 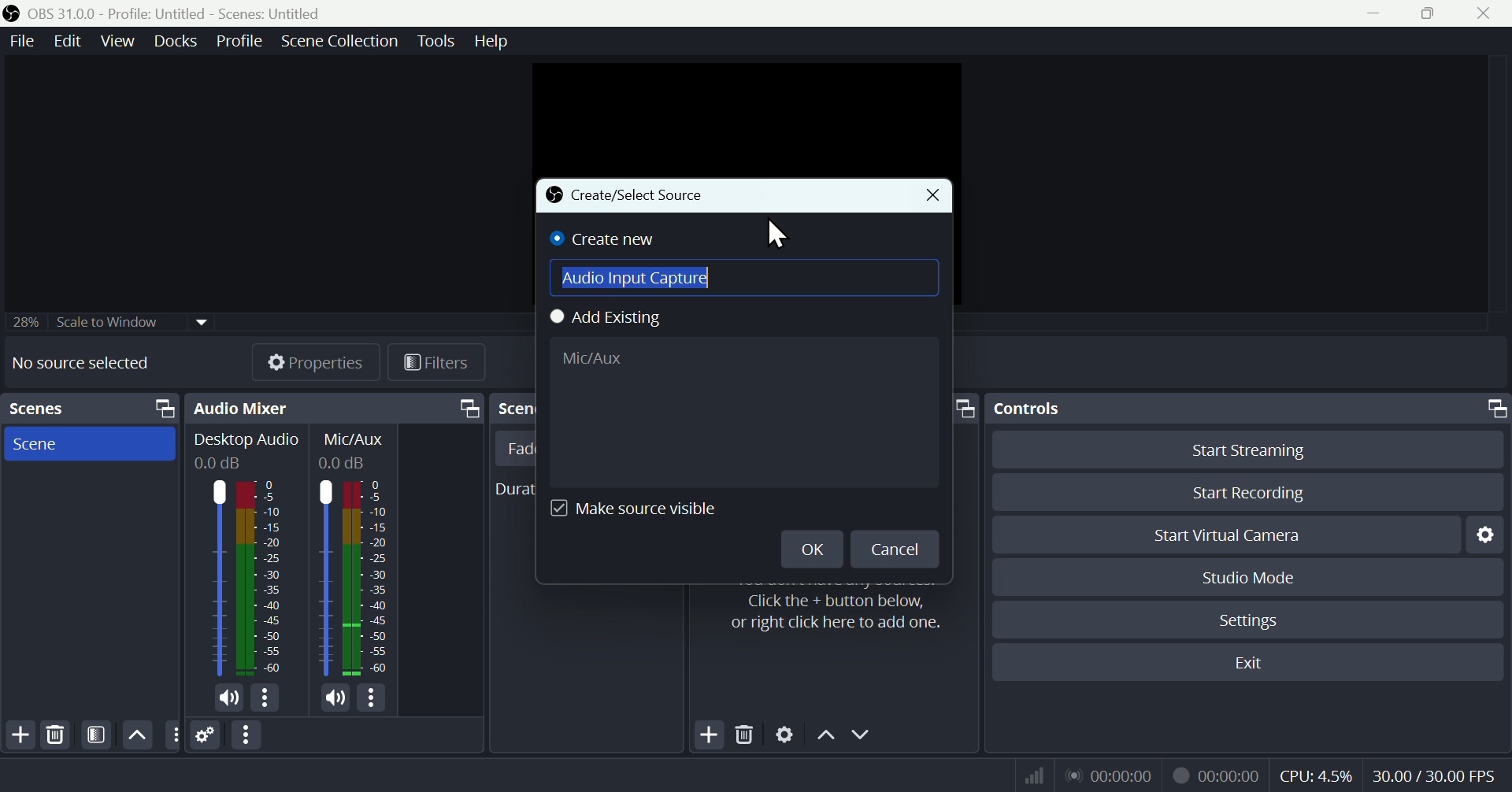 I want to click on 0.0dB, so click(x=220, y=464).